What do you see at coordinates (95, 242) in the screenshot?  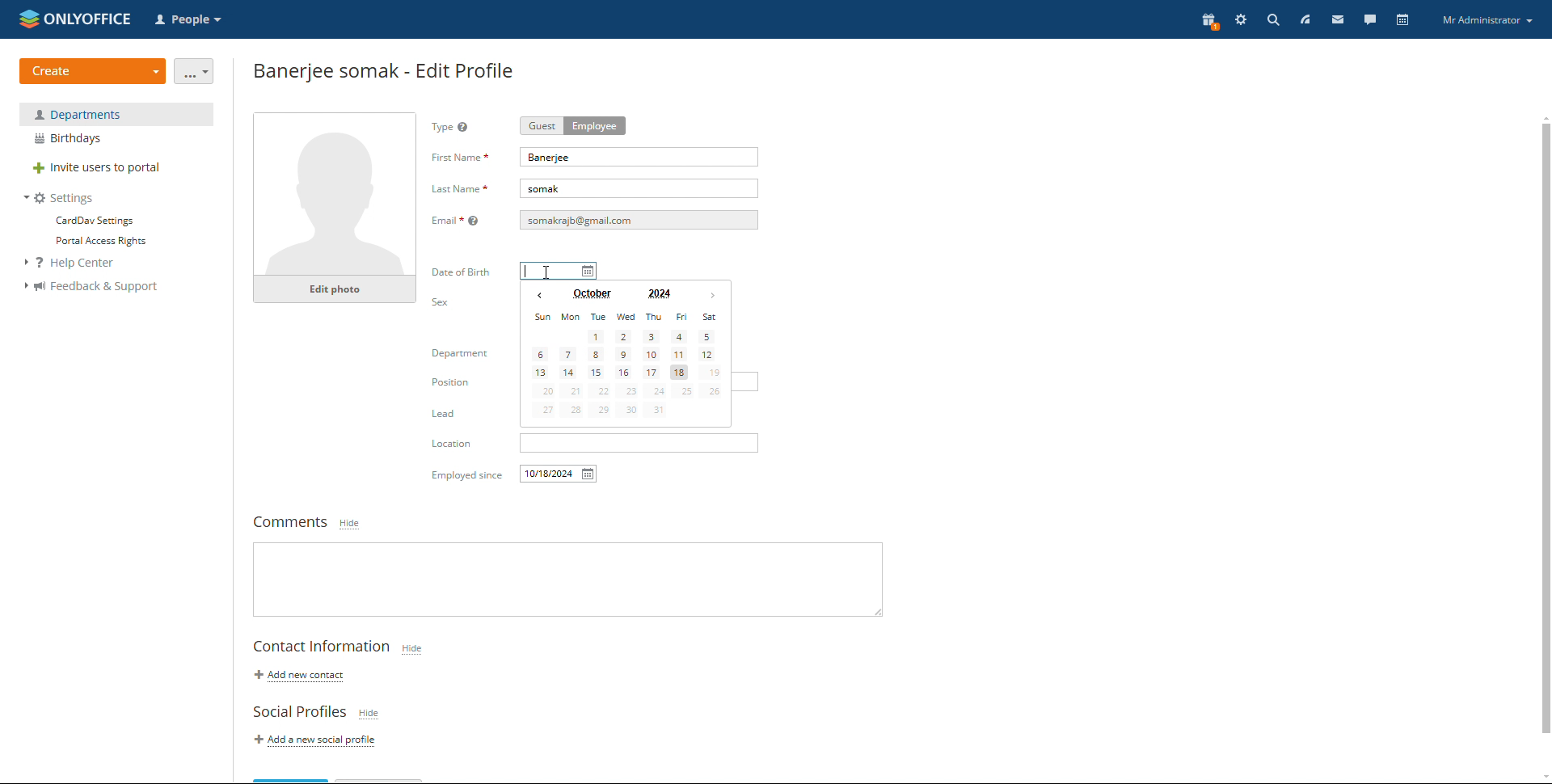 I see `portal access rights` at bounding box center [95, 242].